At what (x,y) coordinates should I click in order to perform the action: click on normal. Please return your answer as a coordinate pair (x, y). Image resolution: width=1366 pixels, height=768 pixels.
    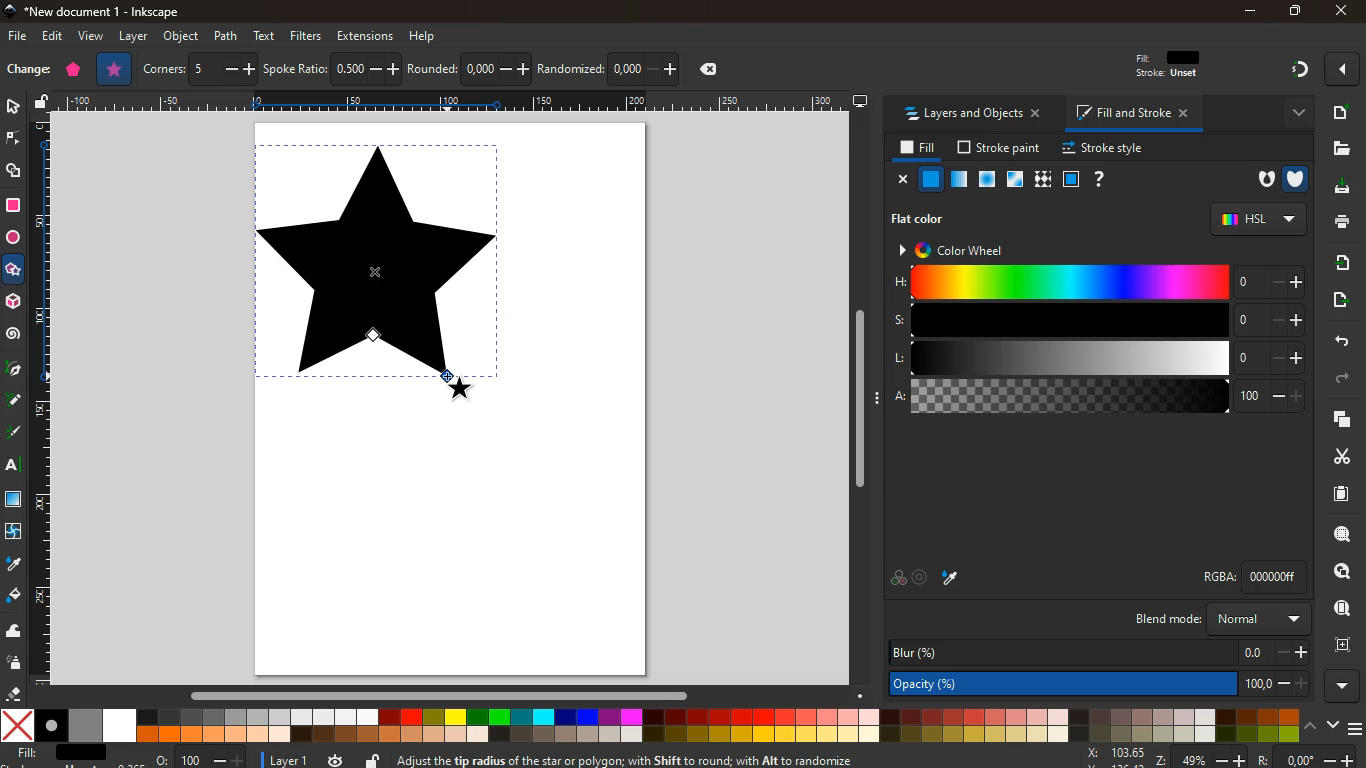
    Looking at the image, I should click on (931, 178).